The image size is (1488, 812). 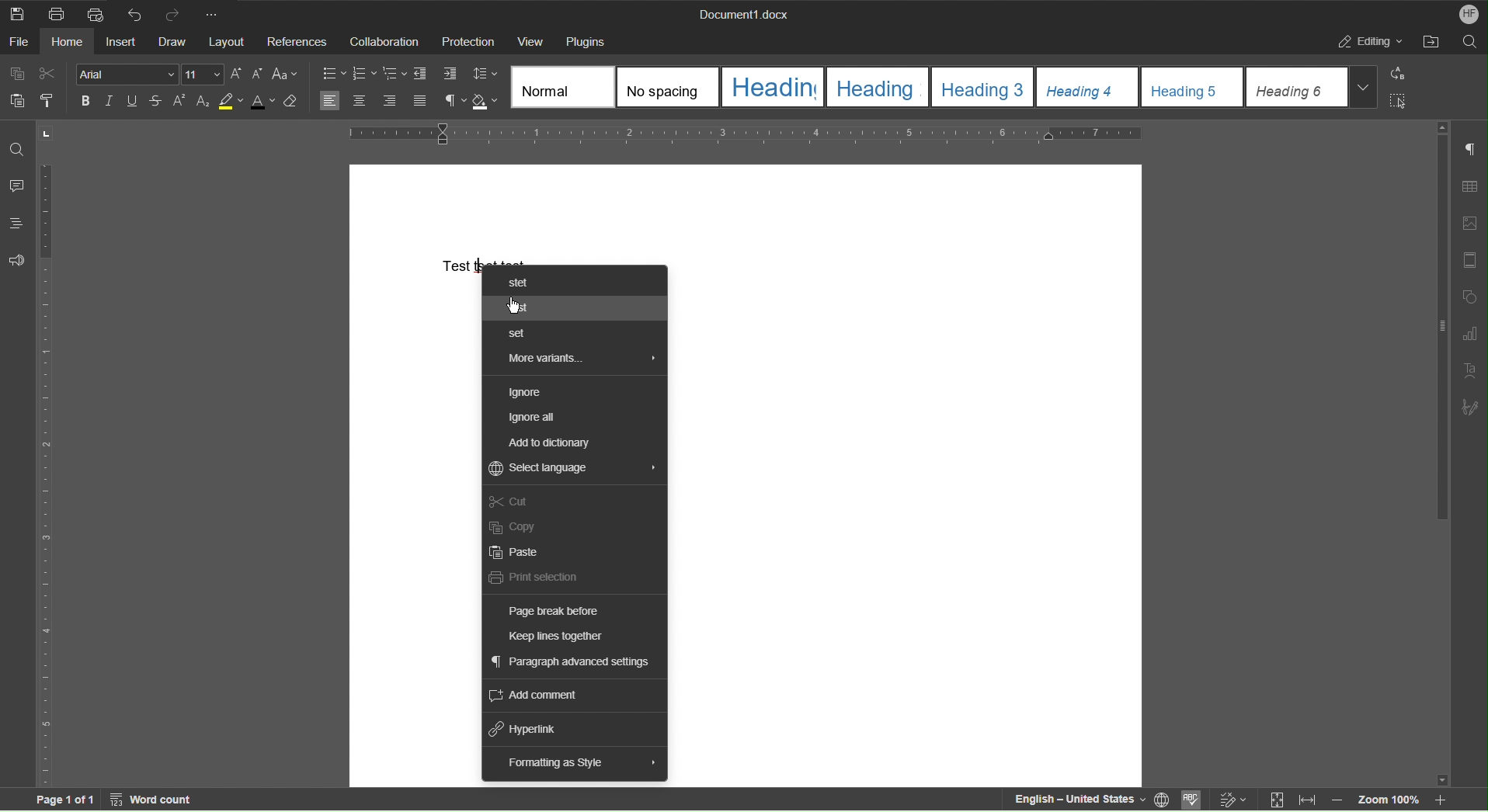 I want to click on Zoom, so click(x=1391, y=799).